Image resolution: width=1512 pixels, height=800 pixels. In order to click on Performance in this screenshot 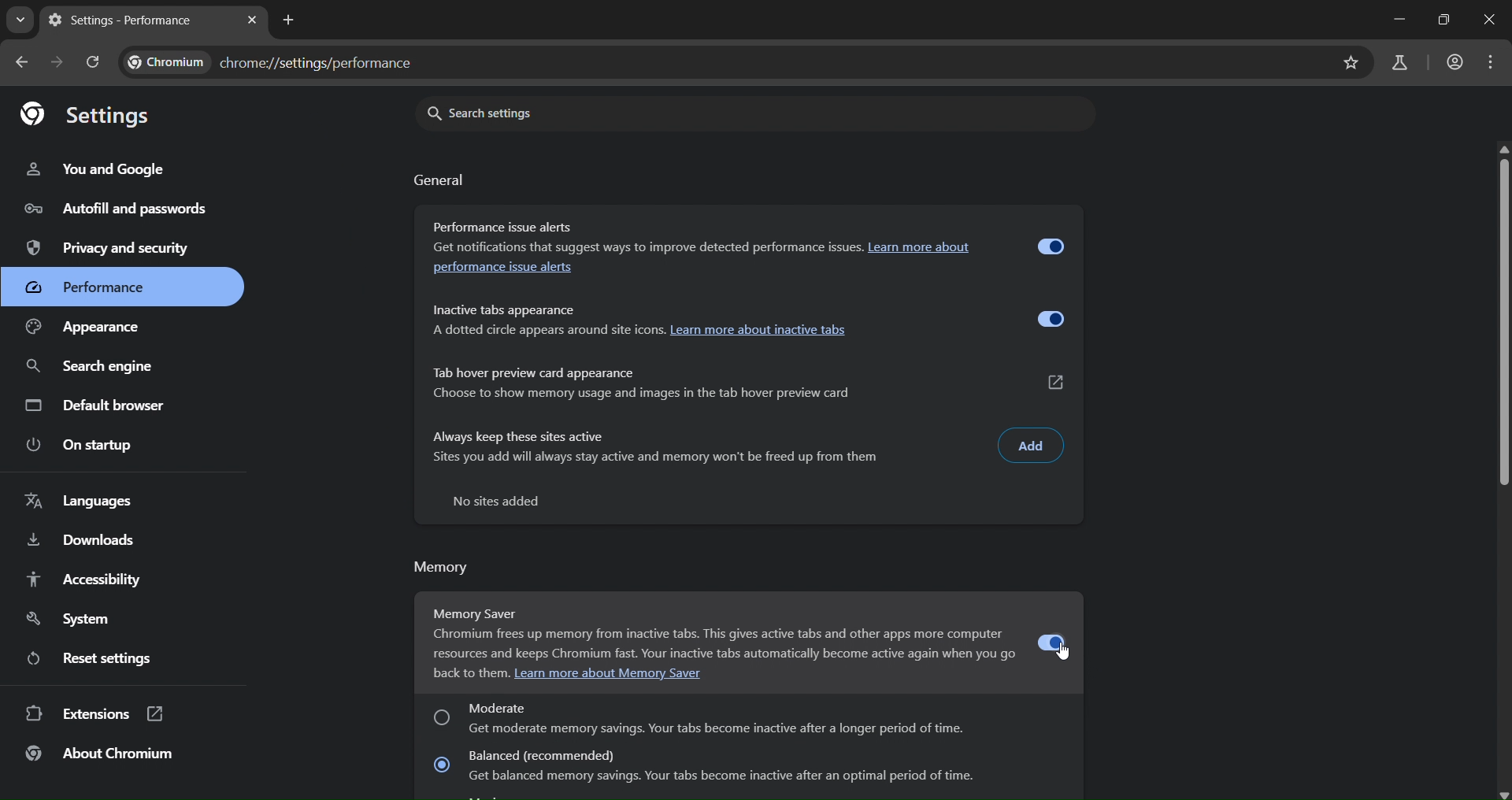, I will do `click(124, 287)`.